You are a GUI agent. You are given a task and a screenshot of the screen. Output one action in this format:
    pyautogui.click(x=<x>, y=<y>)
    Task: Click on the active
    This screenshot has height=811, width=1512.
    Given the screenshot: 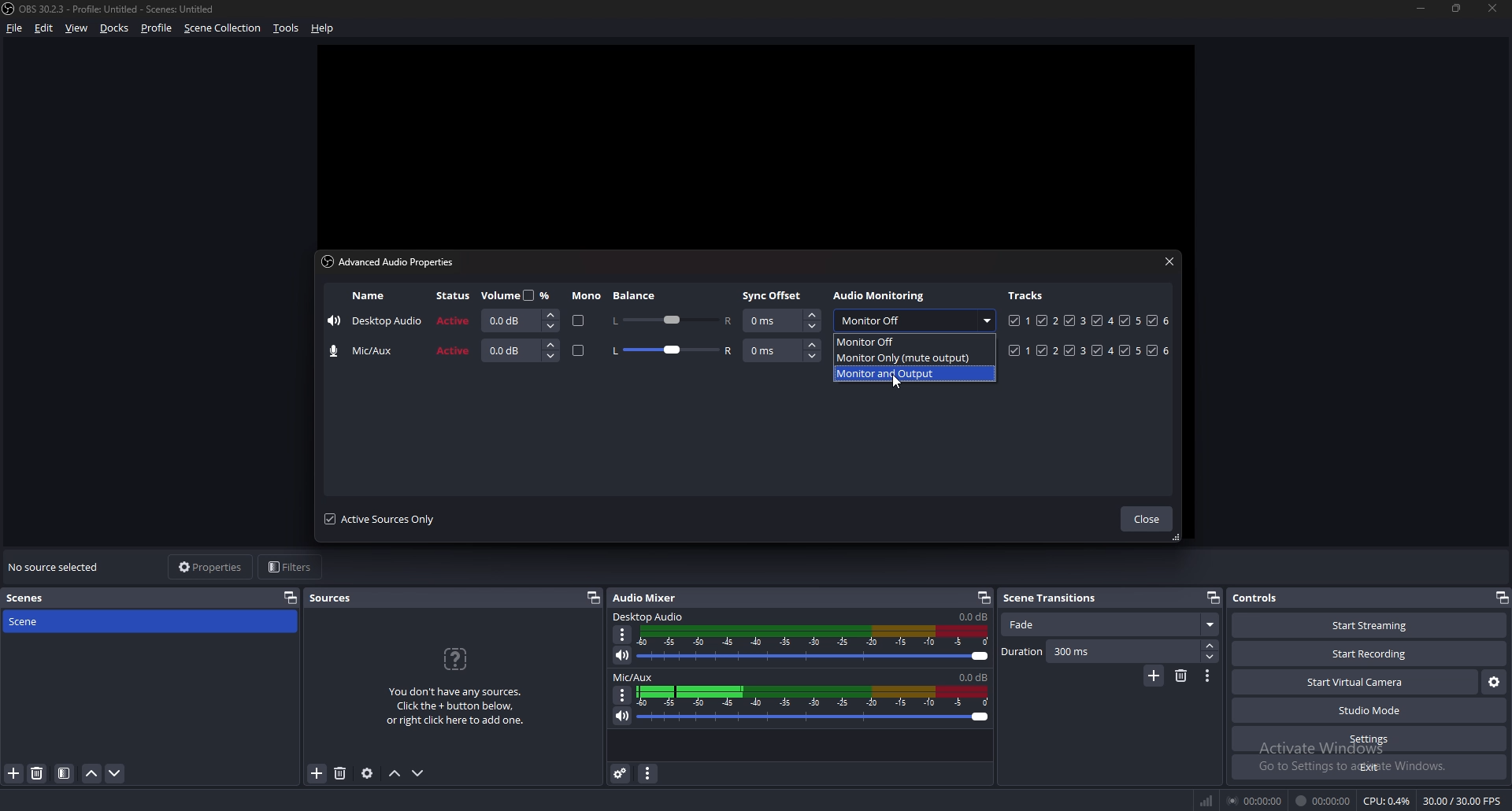 What is the action you would take?
    pyautogui.click(x=454, y=352)
    